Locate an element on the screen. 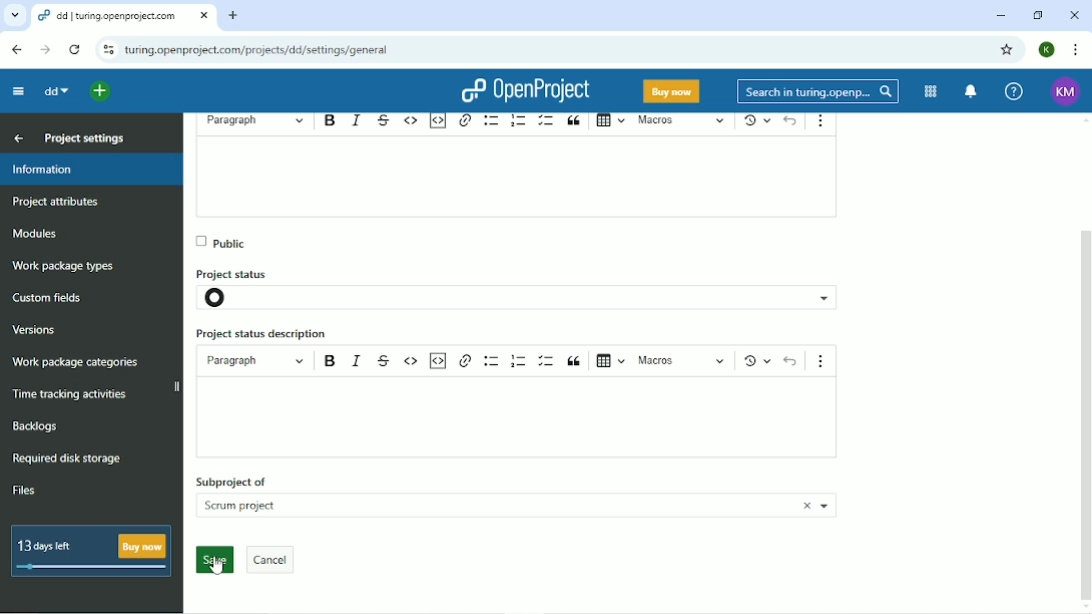 Image resolution: width=1092 pixels, height=614 pixels. bold is located at coordinates (329, 358).